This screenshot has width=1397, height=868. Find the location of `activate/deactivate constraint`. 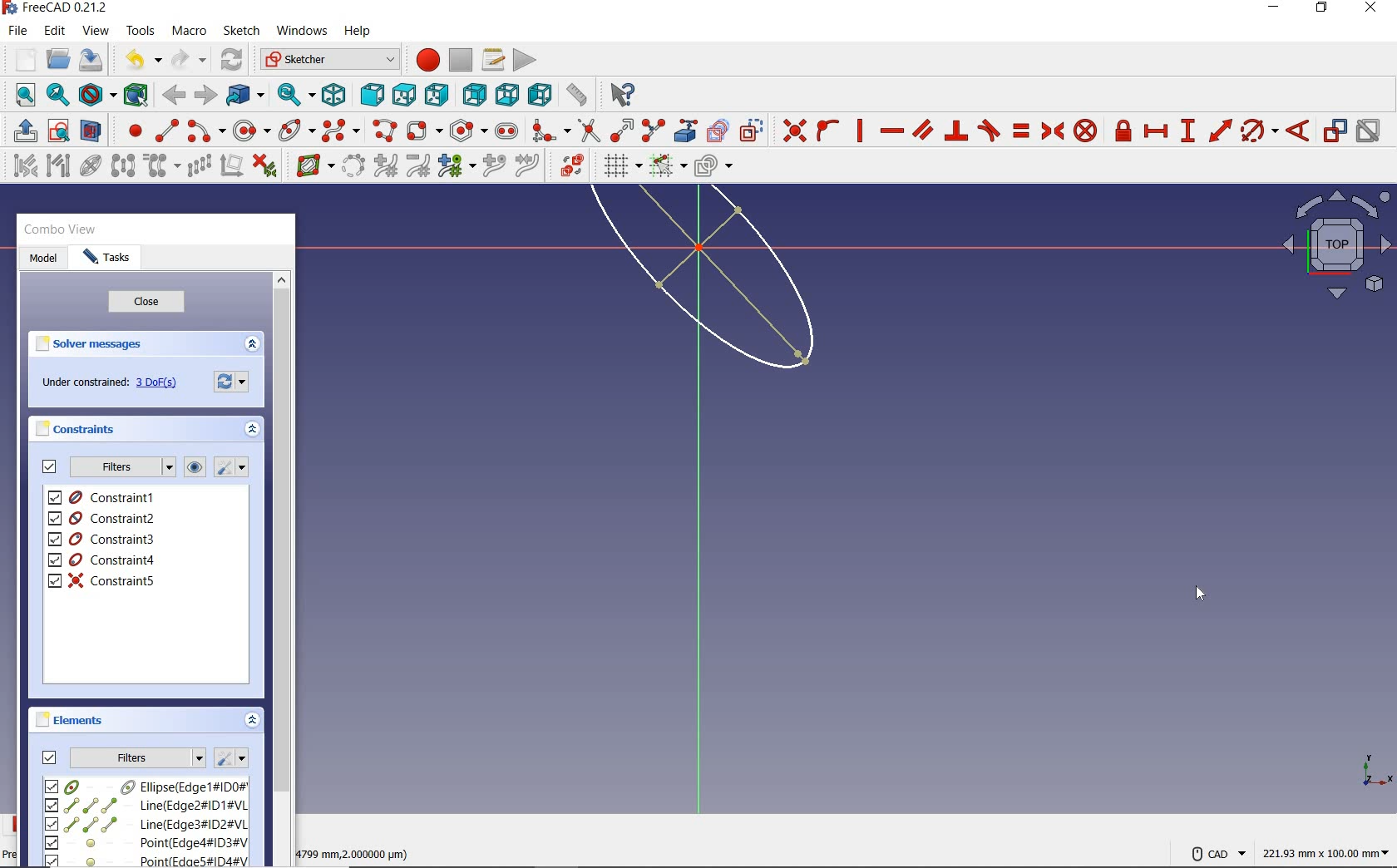

activate/deactivate constraint is located at coordinates (1369, 131).